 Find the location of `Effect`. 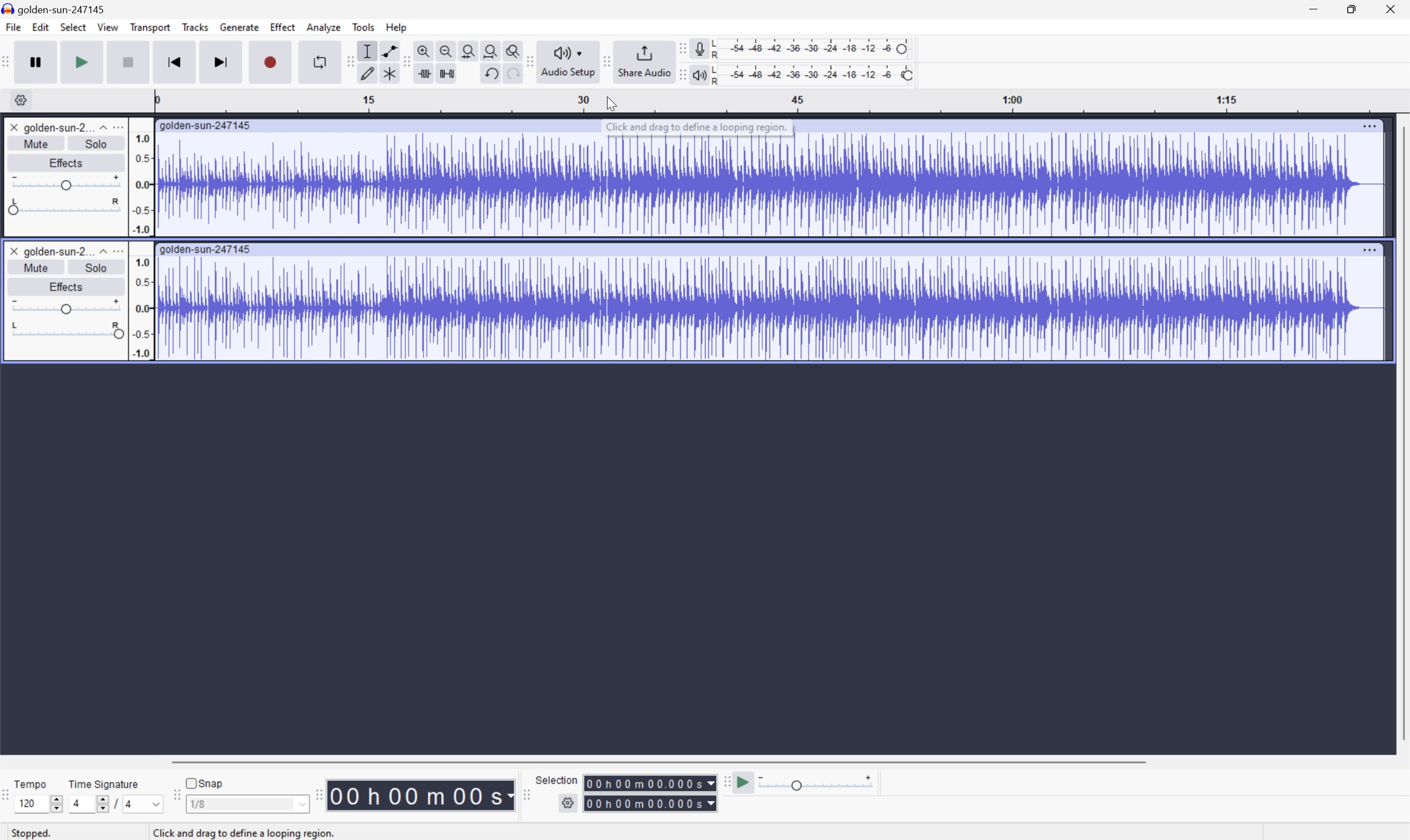

Effect is located at coordinates (283, 28).